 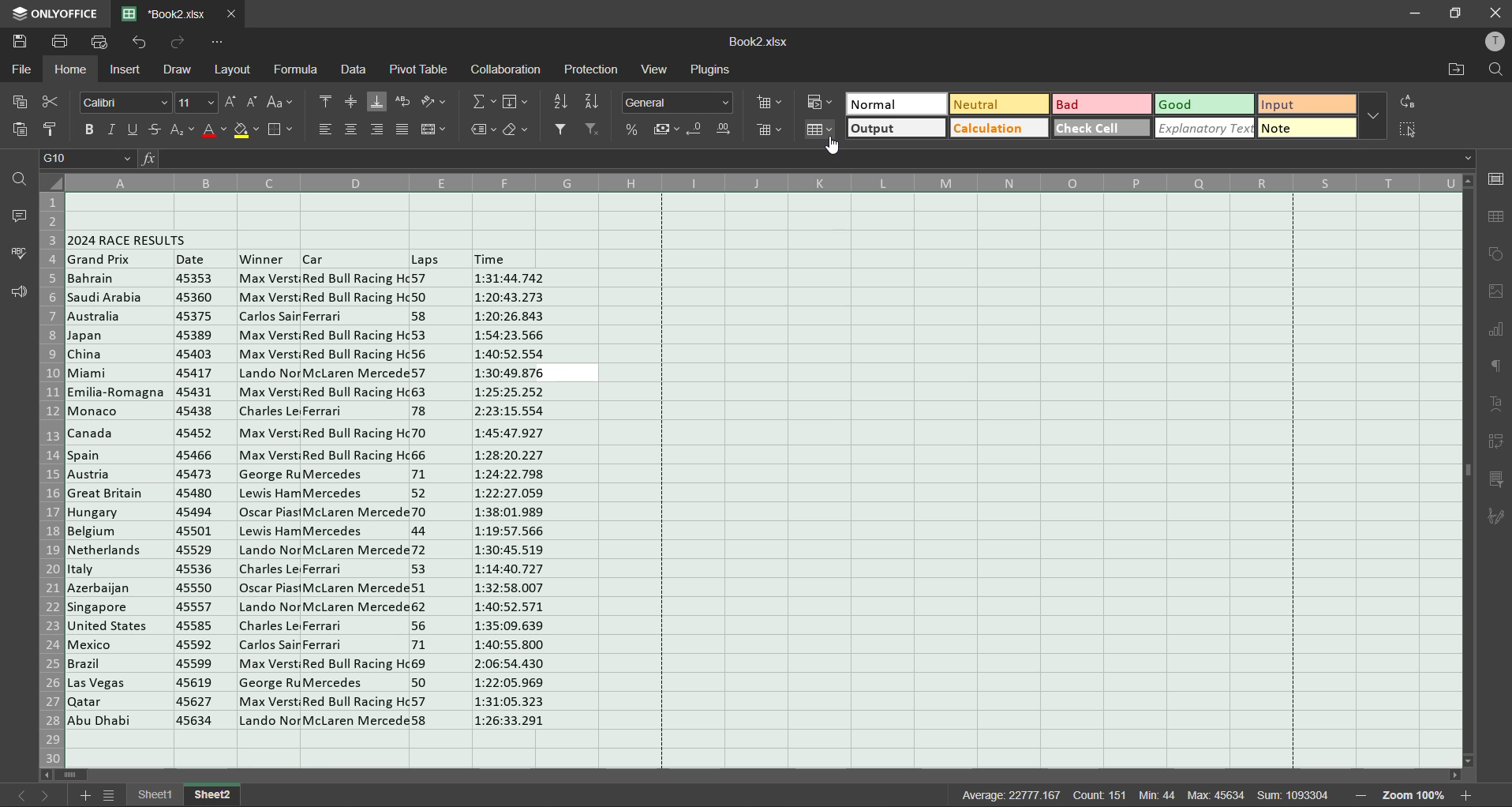 What do you see at coordinates (376, 103) in the screenshot?
I see `align bottom` at bounding box center [376, 103].